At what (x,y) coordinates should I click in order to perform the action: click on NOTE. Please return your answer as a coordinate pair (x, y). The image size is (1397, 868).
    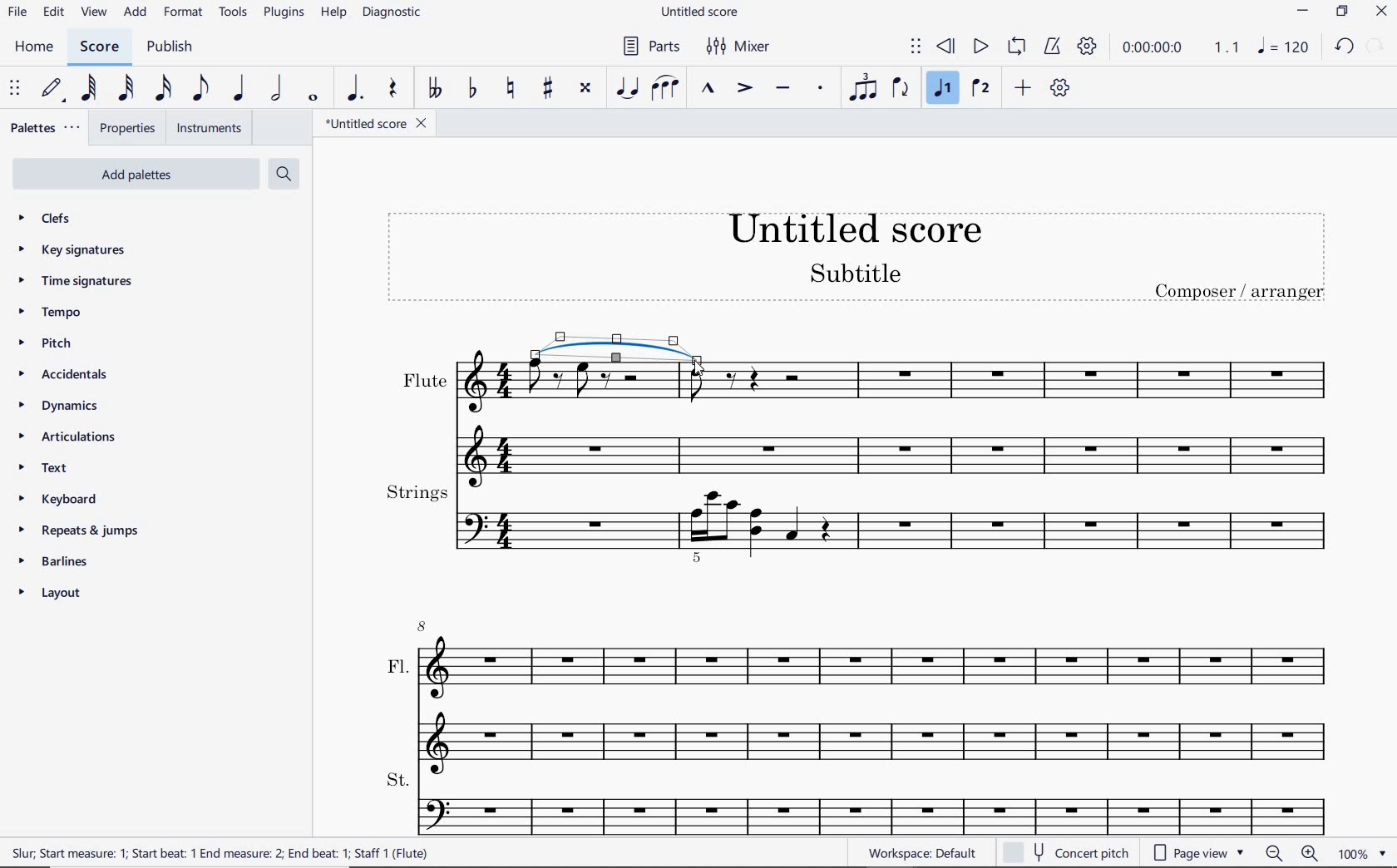
    Looking at the image, I should click on (1286, 48).